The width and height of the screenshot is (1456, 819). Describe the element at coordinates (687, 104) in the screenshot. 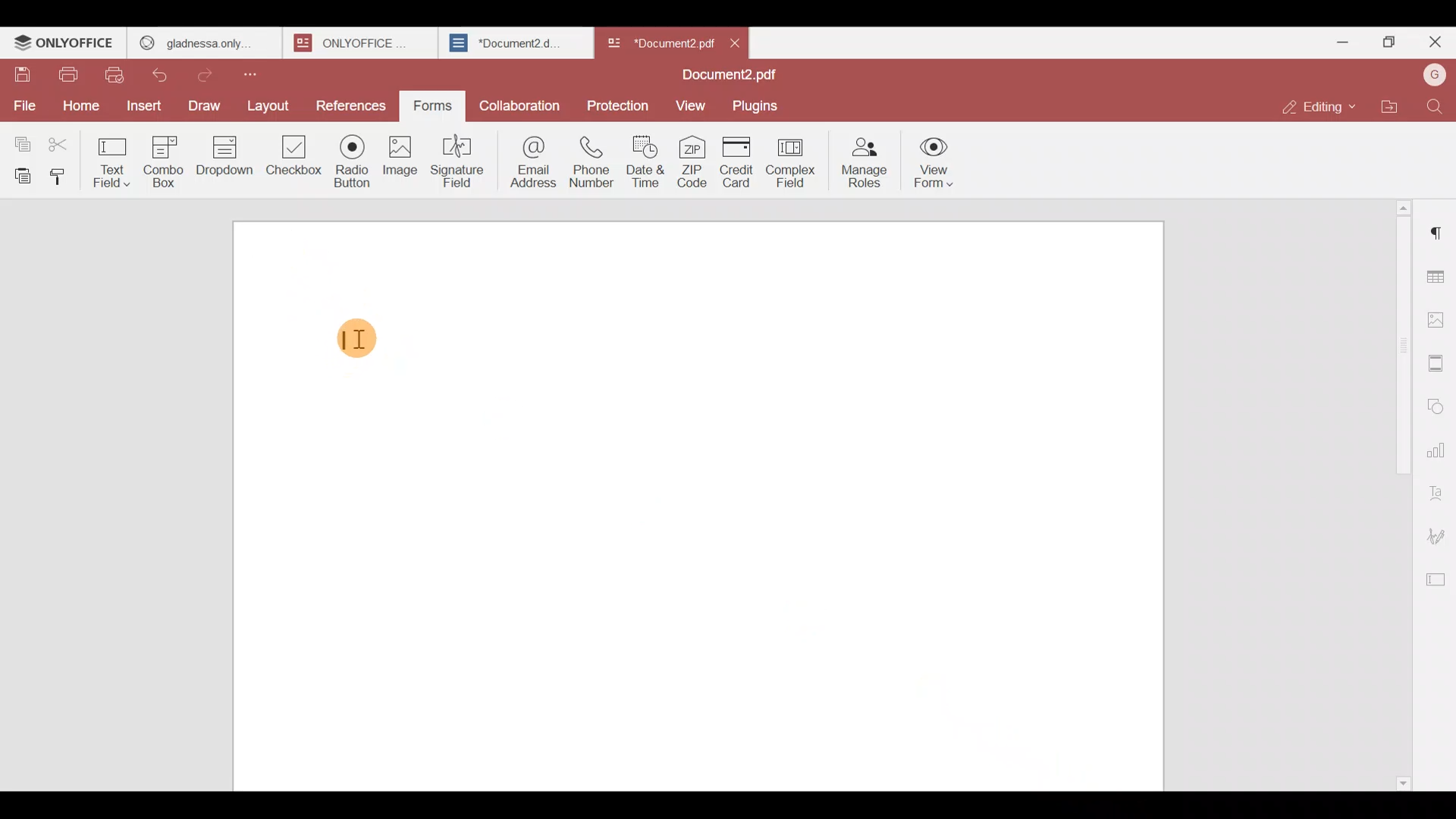

I see `View` at that location.